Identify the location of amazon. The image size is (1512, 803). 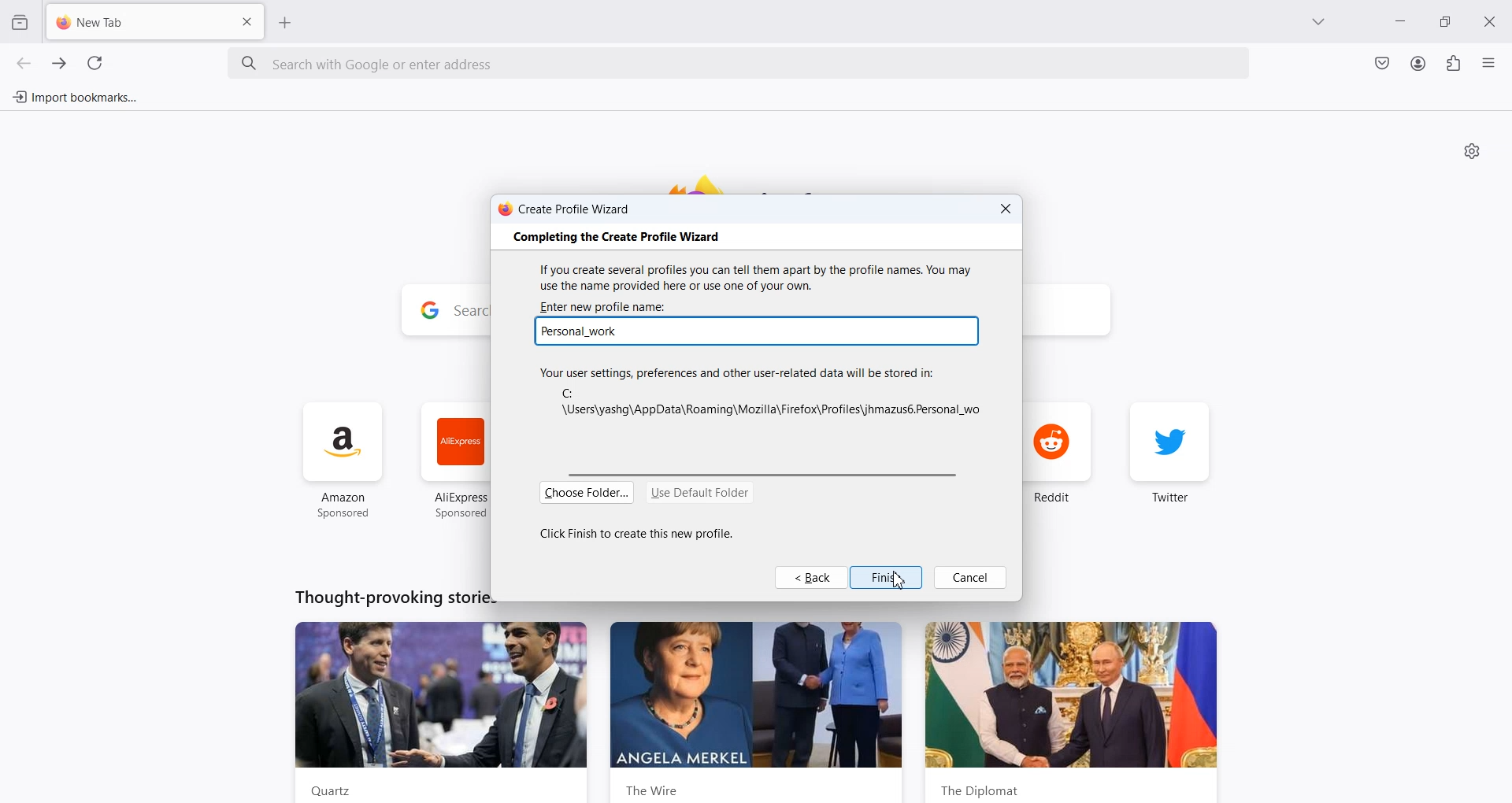
(346, 460).